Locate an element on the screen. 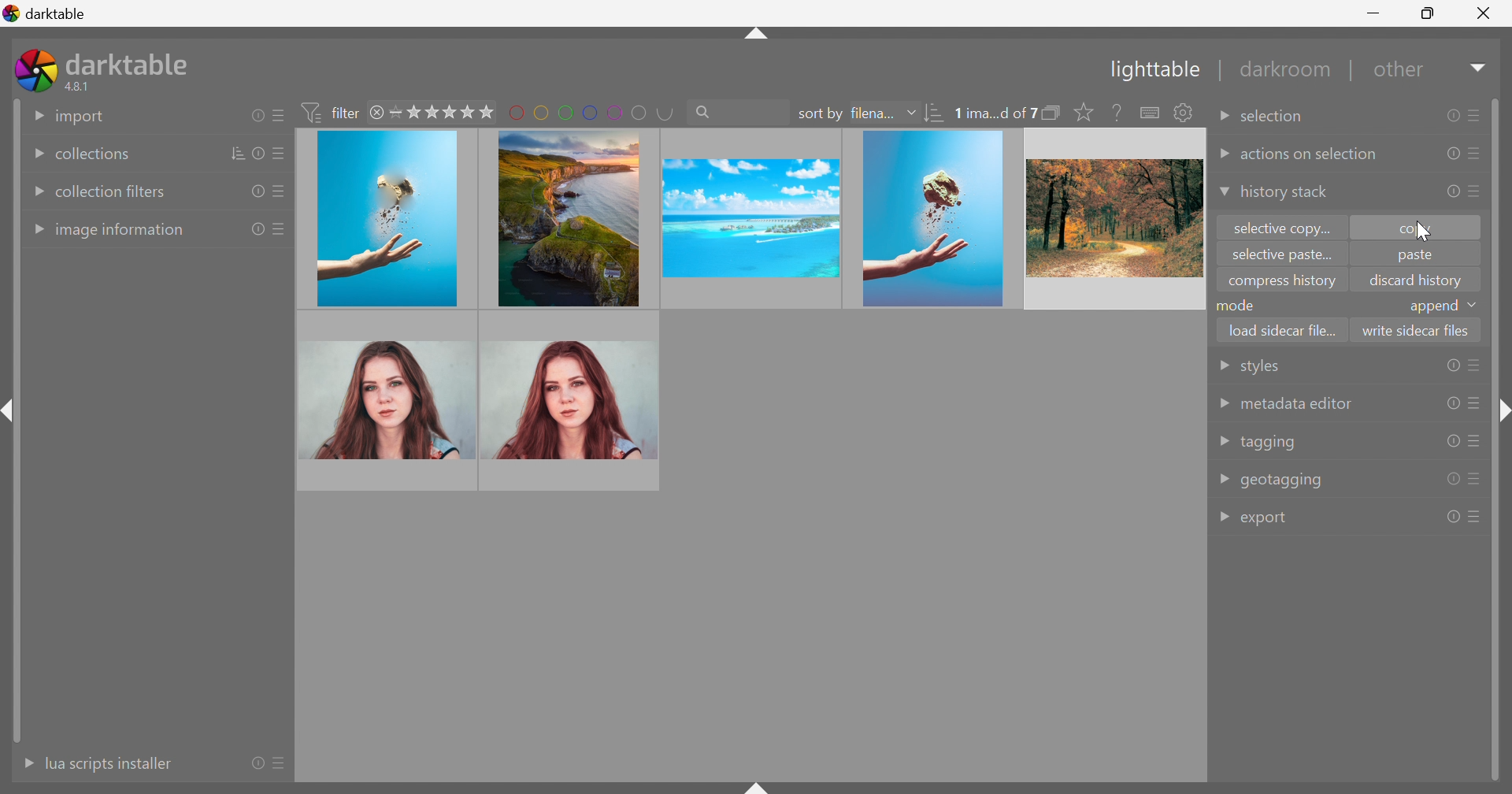 This screenshot has height=794, width=1512. other is located at coordinates (1402, 74).